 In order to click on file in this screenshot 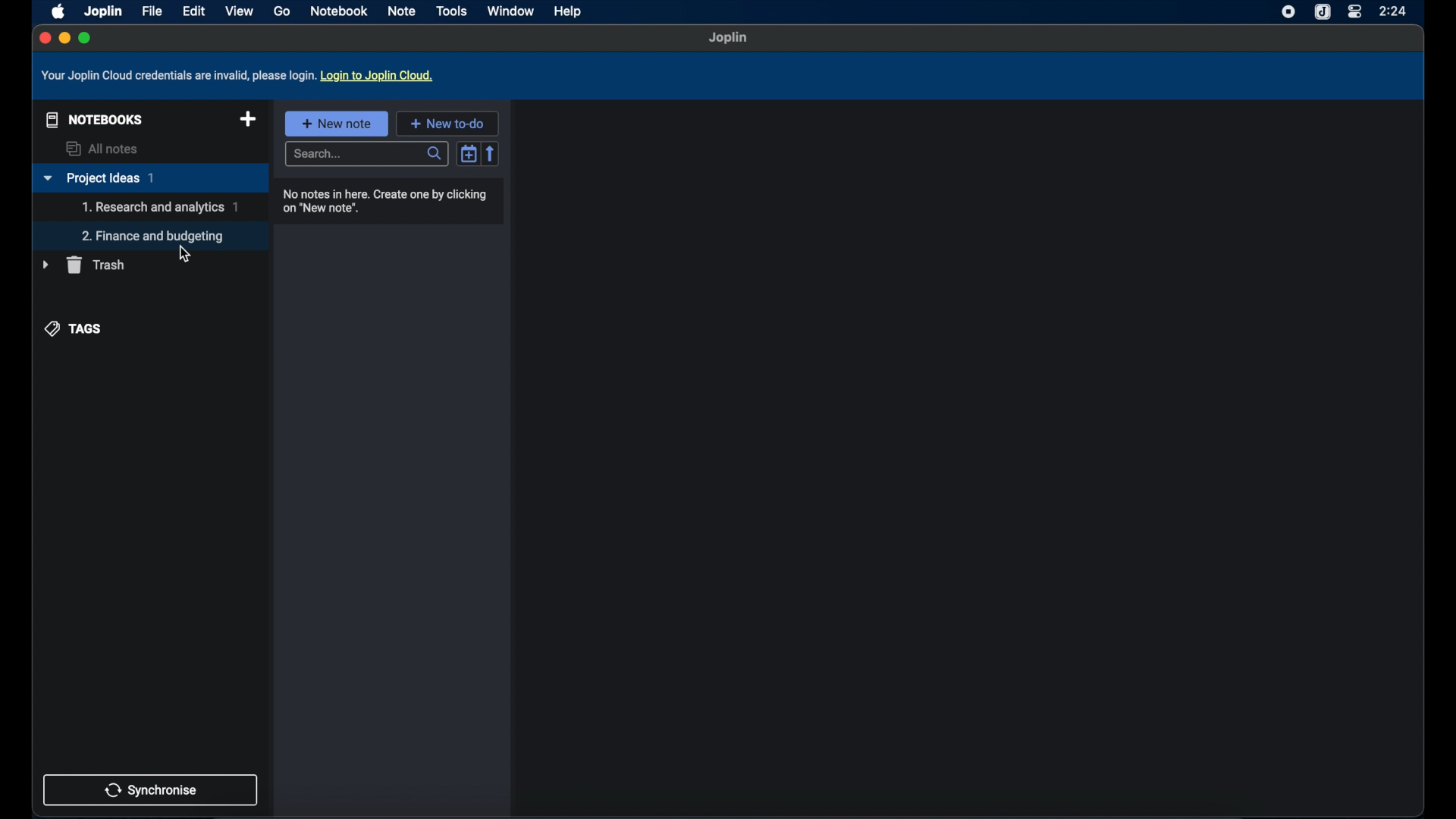, I will do `click(152, 11)`.